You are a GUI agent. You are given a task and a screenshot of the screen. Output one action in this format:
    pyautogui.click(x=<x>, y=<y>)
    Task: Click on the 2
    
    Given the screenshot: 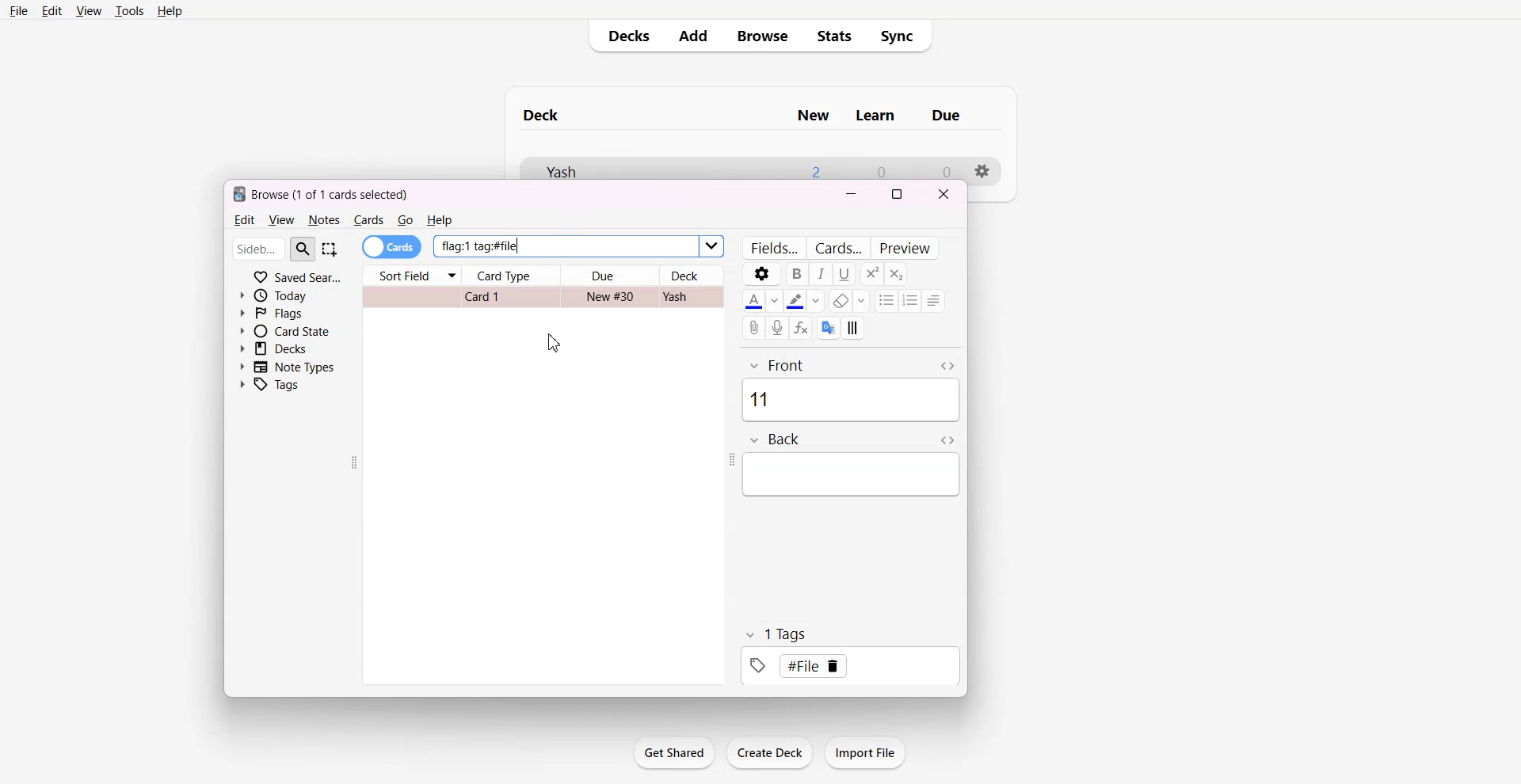 What is the action you would take?
    pyautogui.click(x=814, y=167)
    